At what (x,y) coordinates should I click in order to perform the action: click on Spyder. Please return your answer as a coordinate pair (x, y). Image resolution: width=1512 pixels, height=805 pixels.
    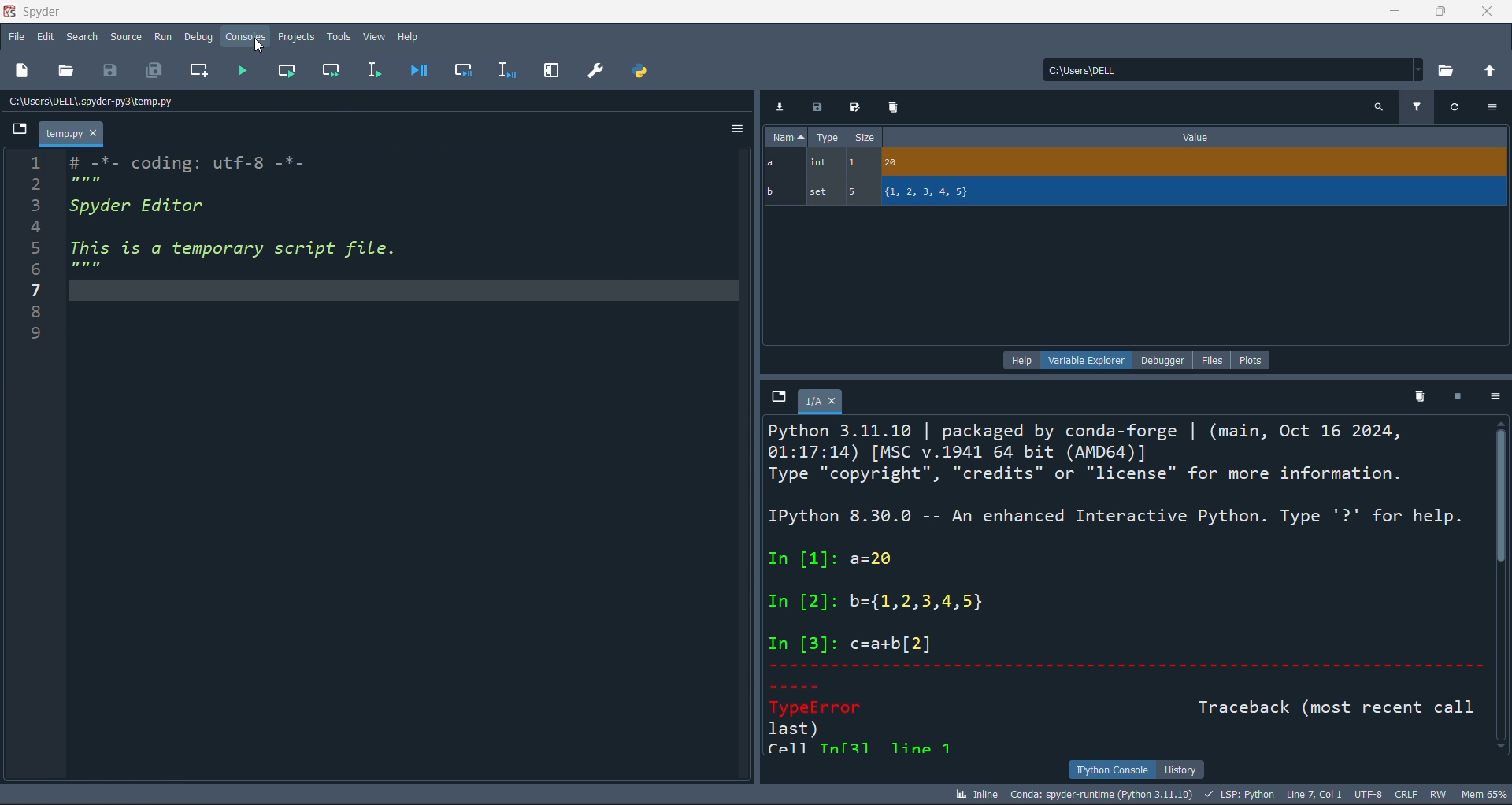
    Looking at the image, I should click on (39, 12).